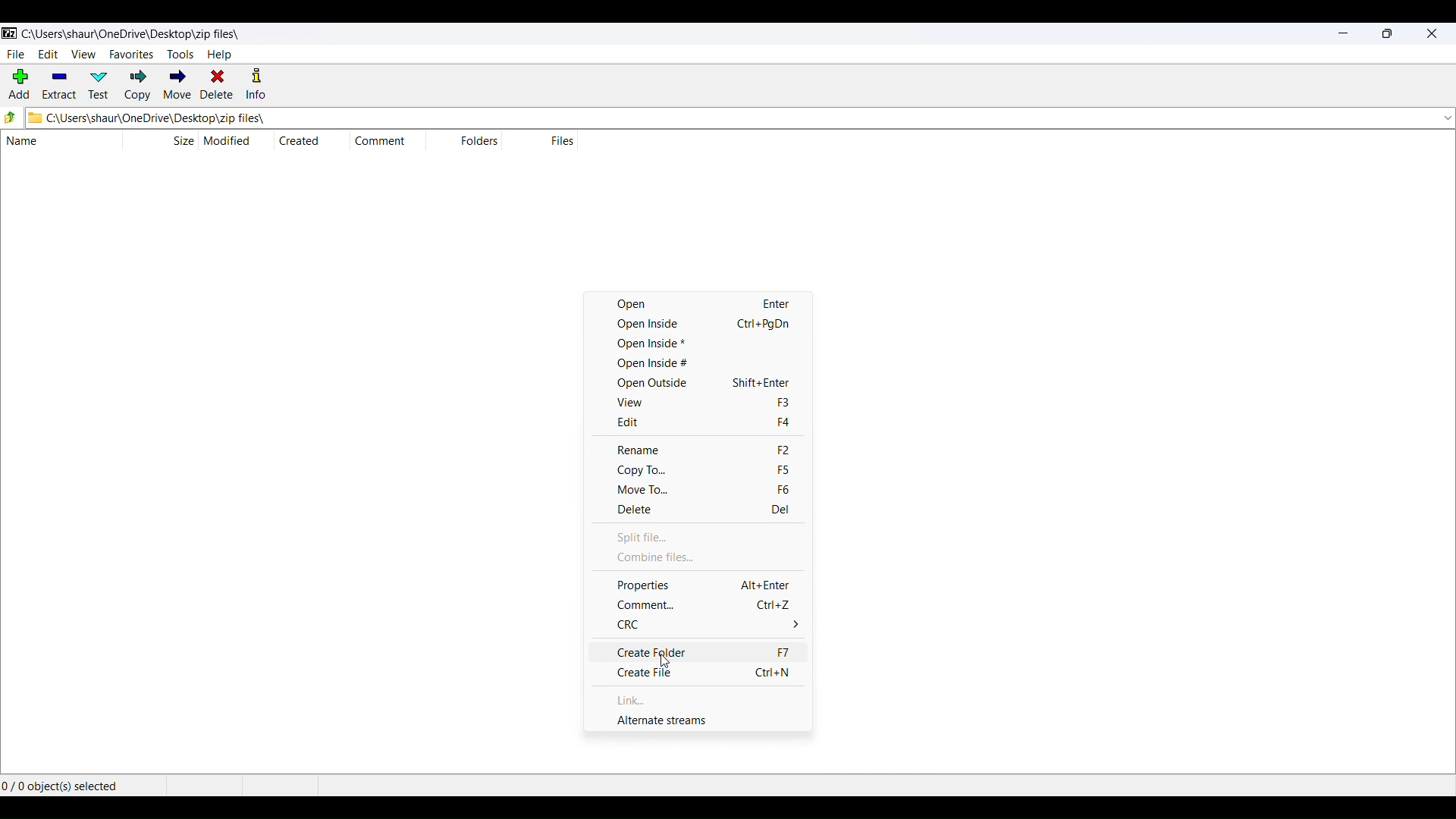  What do you see at coordinates (48, 55) in the screenshot?
I see `EDIT` at bounding box center [48, 55].